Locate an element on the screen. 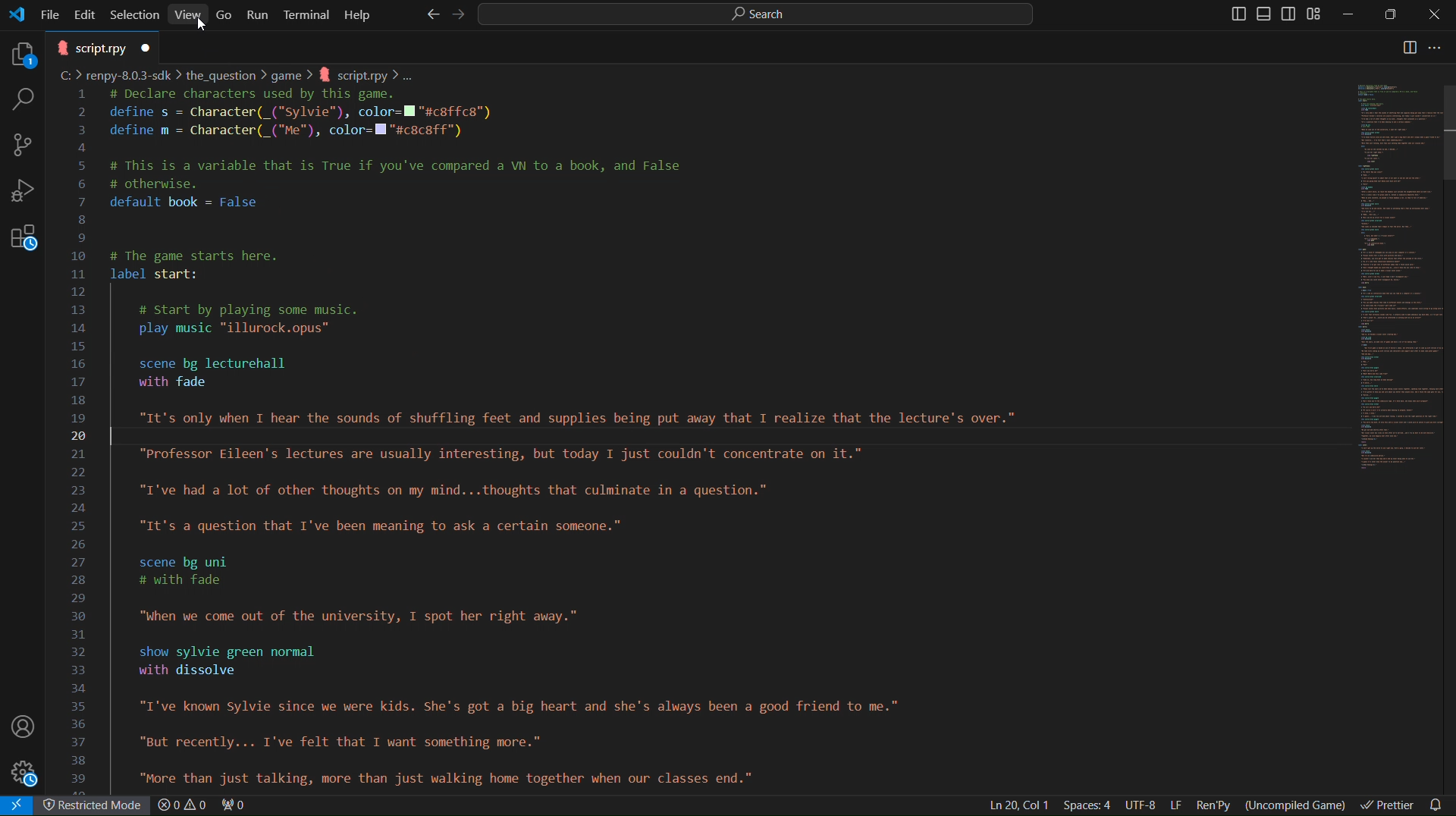 This screenshot has height=816, width=1456. Split Editor is located at coordinates (1410, 49).